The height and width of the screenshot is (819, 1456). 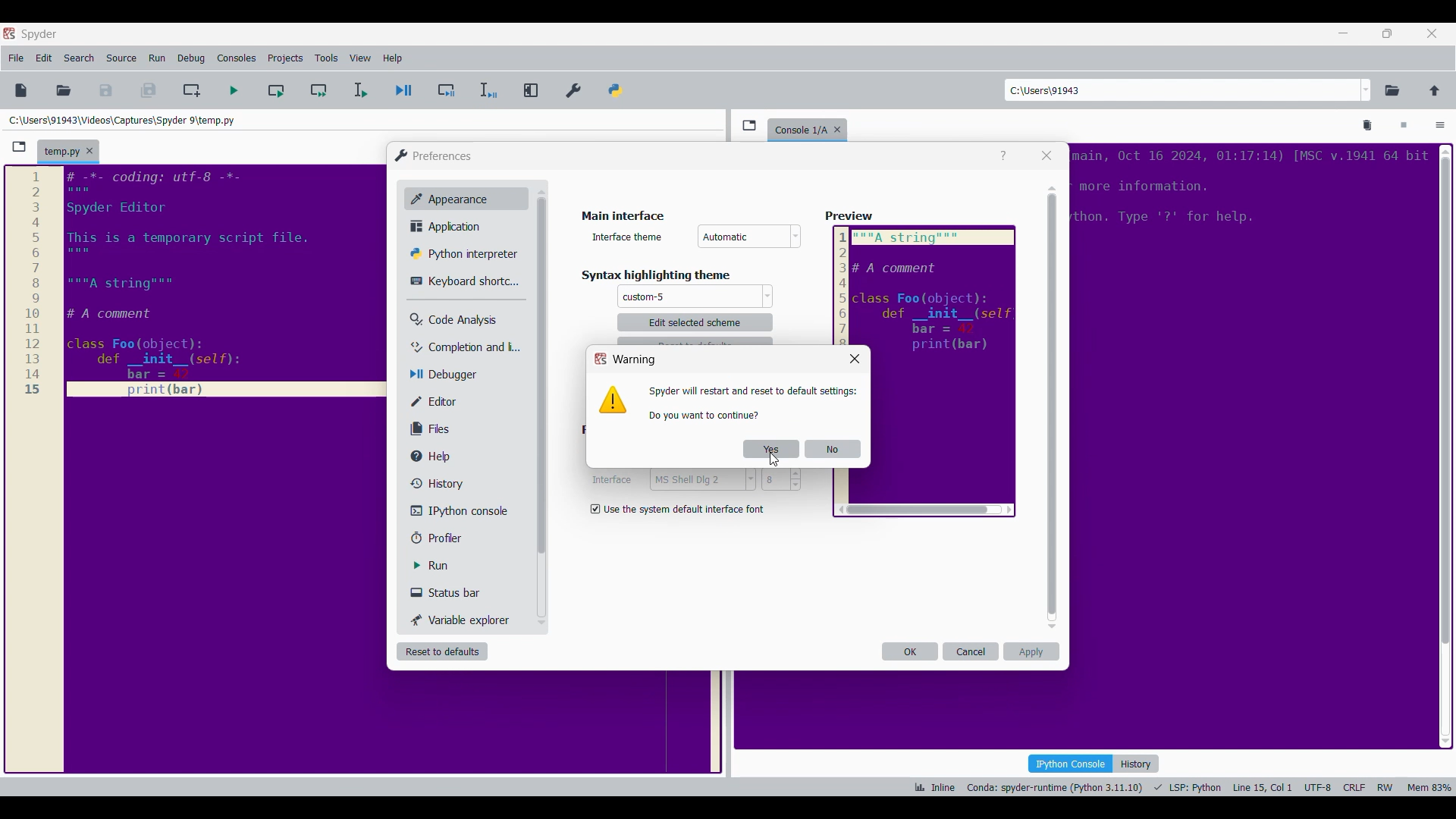 I want to click on New file, so click(x=22, y=90).